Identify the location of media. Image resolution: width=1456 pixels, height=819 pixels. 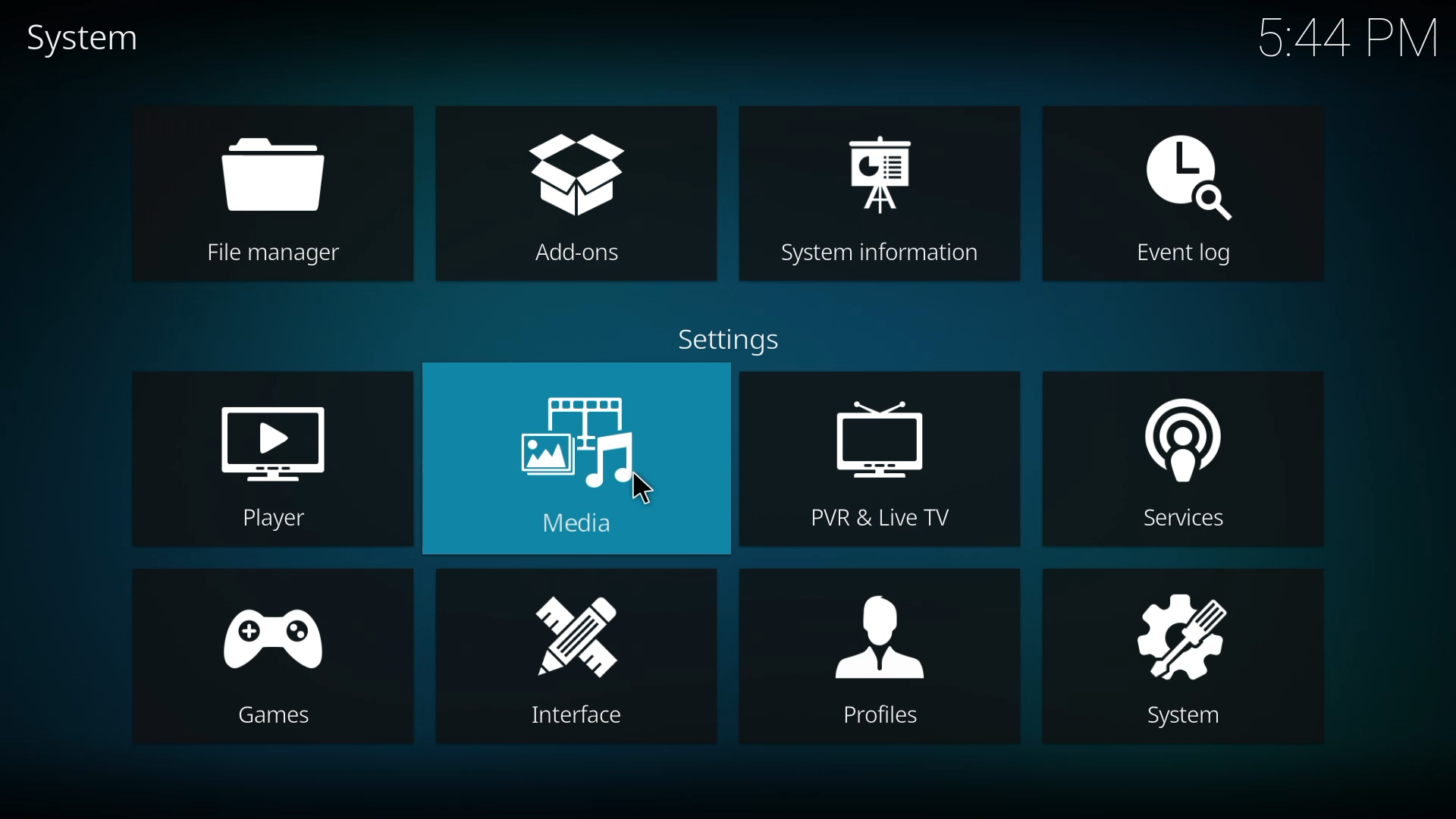
(592, 437).